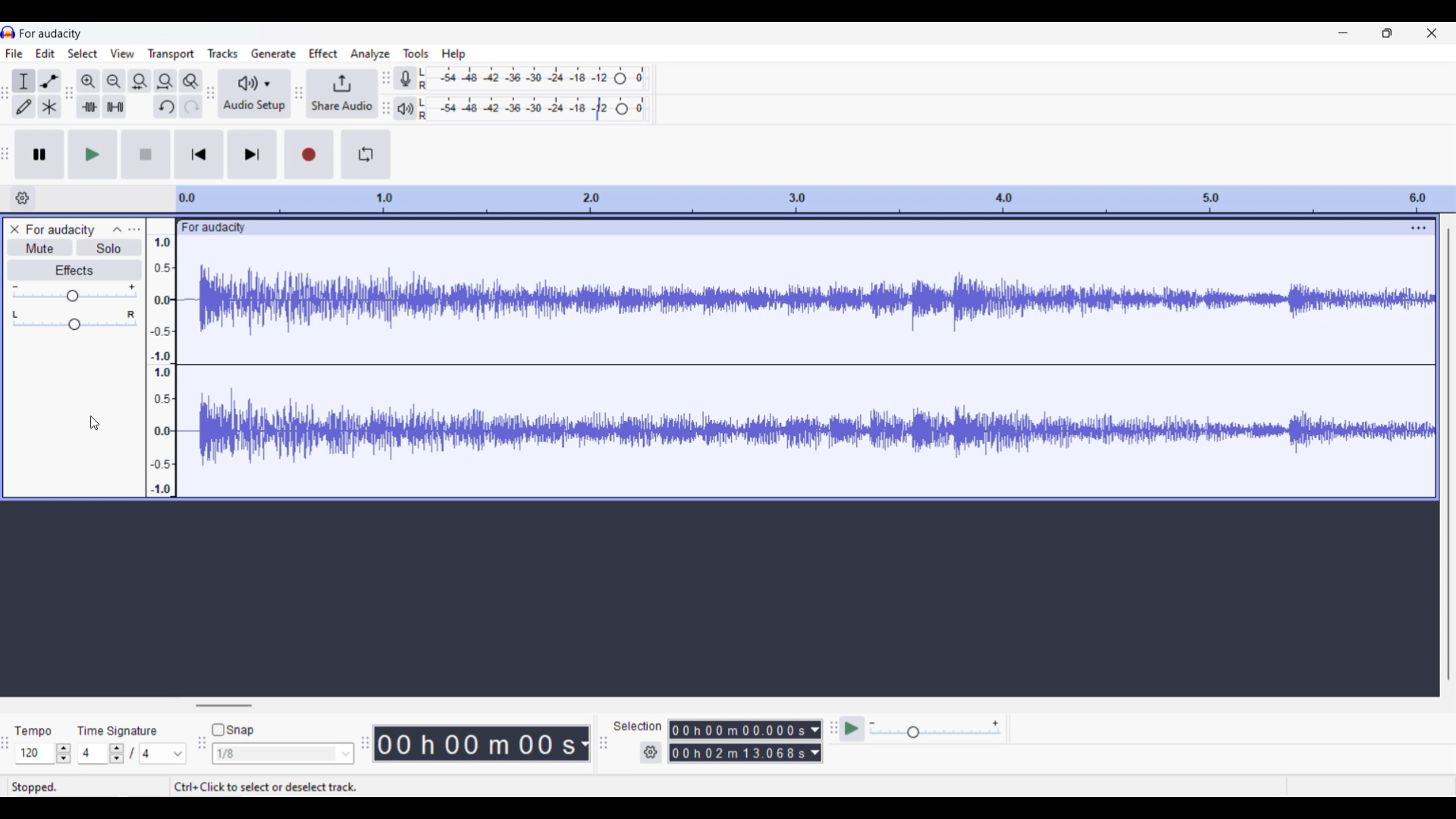 This screenshot has width=1456, height=819. What do you see at coordinates (140, 81) in the screenshot?
I see `Fit selection to width` at bounding box center [140, 81].